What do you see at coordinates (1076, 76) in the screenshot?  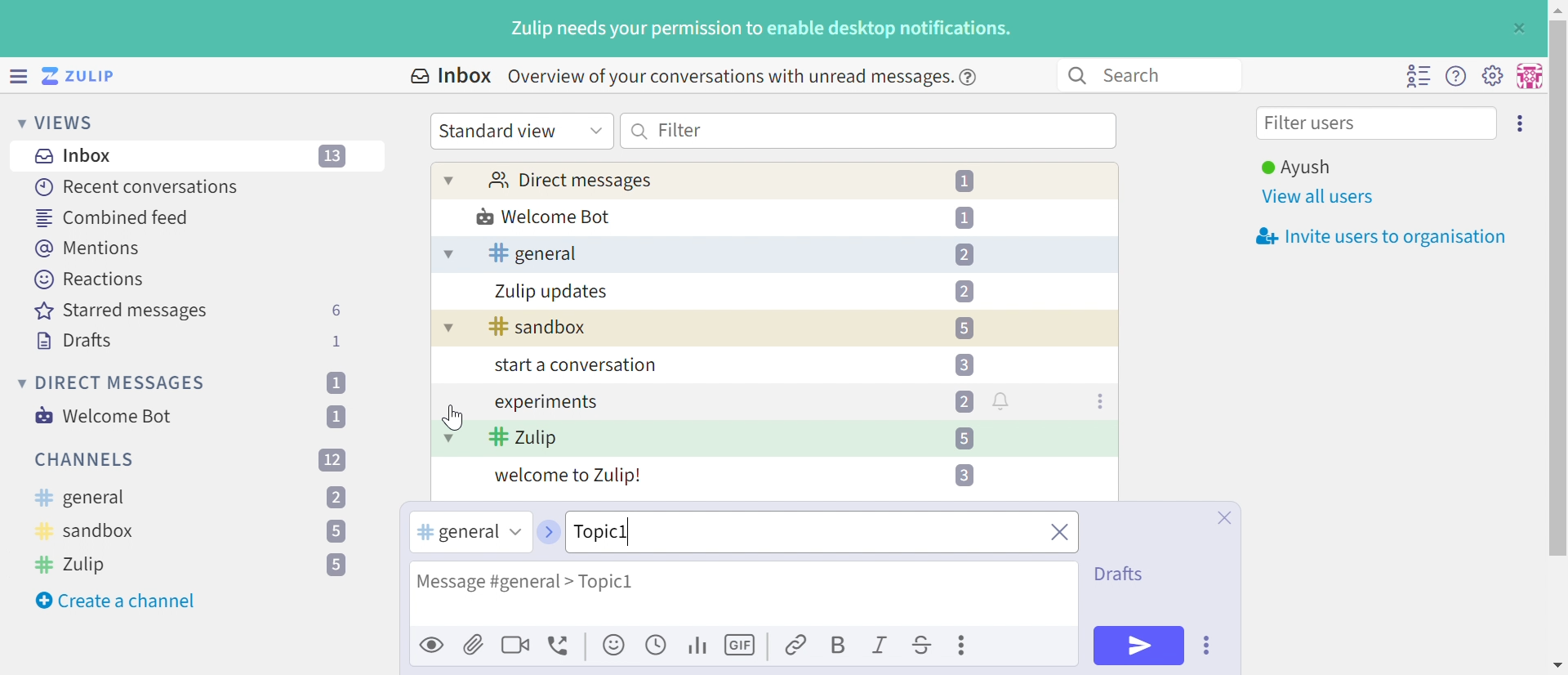 I see `Search` at bounding box center [1076, 76].